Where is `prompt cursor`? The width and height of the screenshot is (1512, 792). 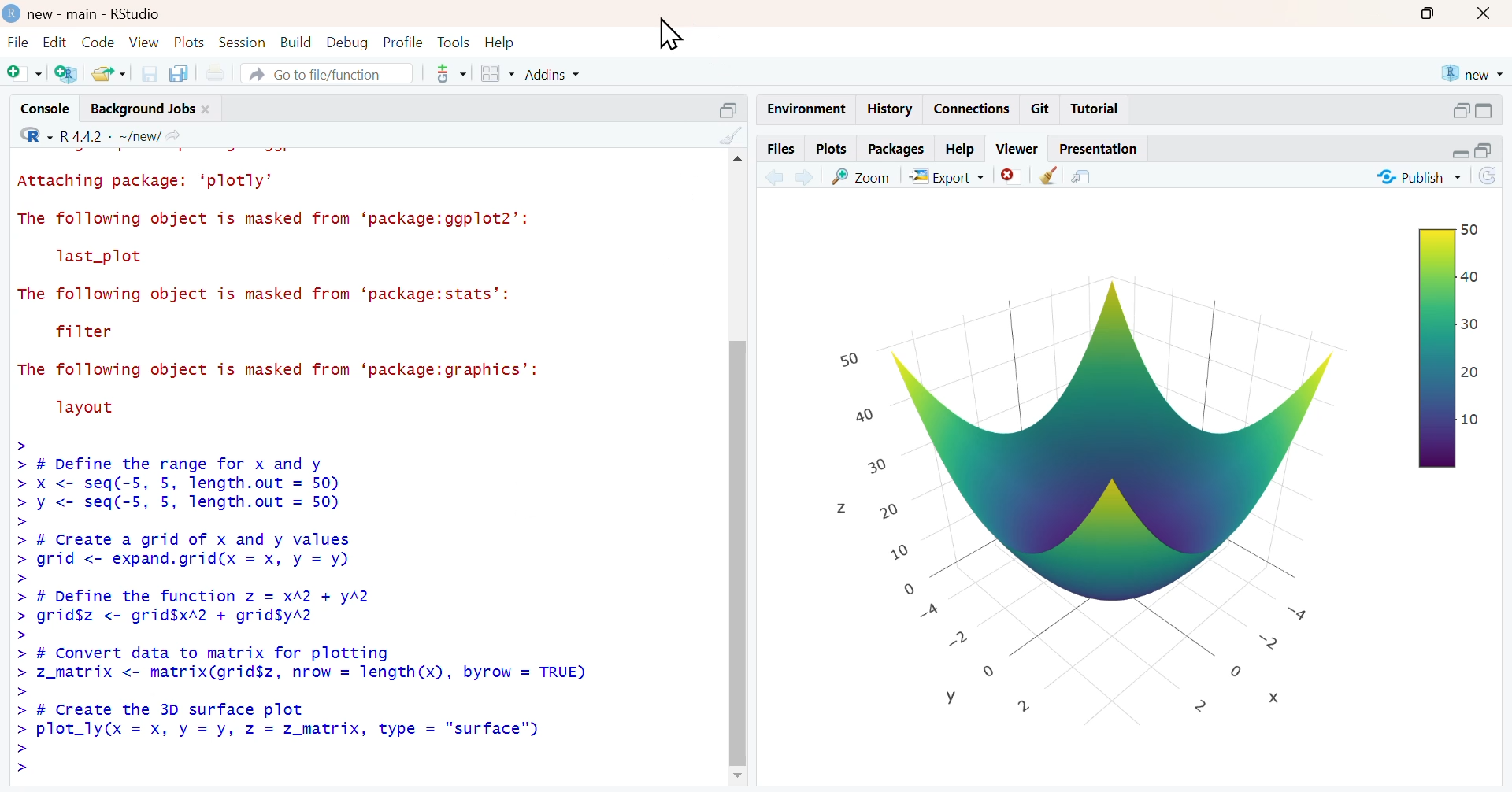 prompt cursor is located at coordinates (16, 442).